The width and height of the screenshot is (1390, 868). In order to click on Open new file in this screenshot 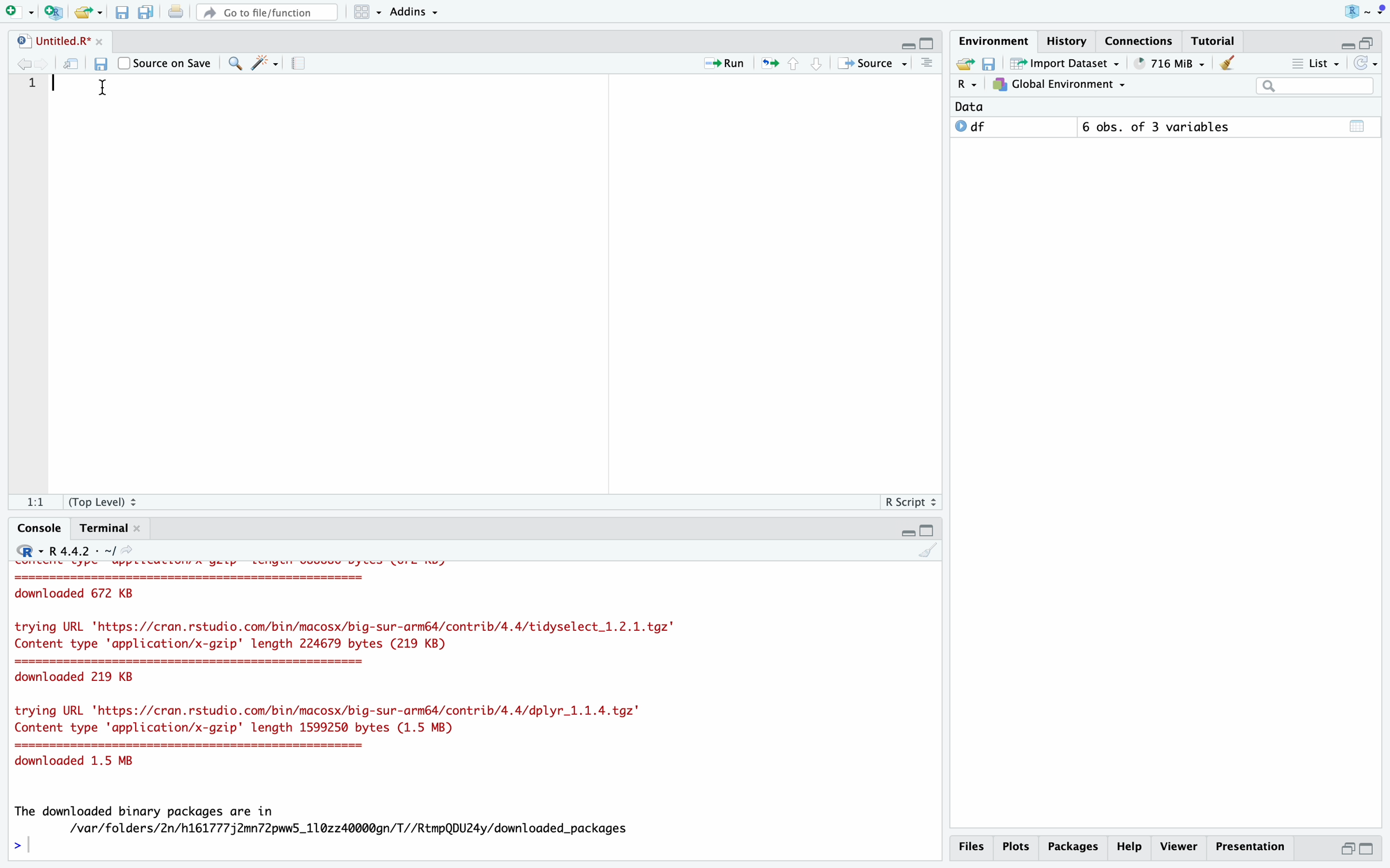, I will do `click(21, 11)`.